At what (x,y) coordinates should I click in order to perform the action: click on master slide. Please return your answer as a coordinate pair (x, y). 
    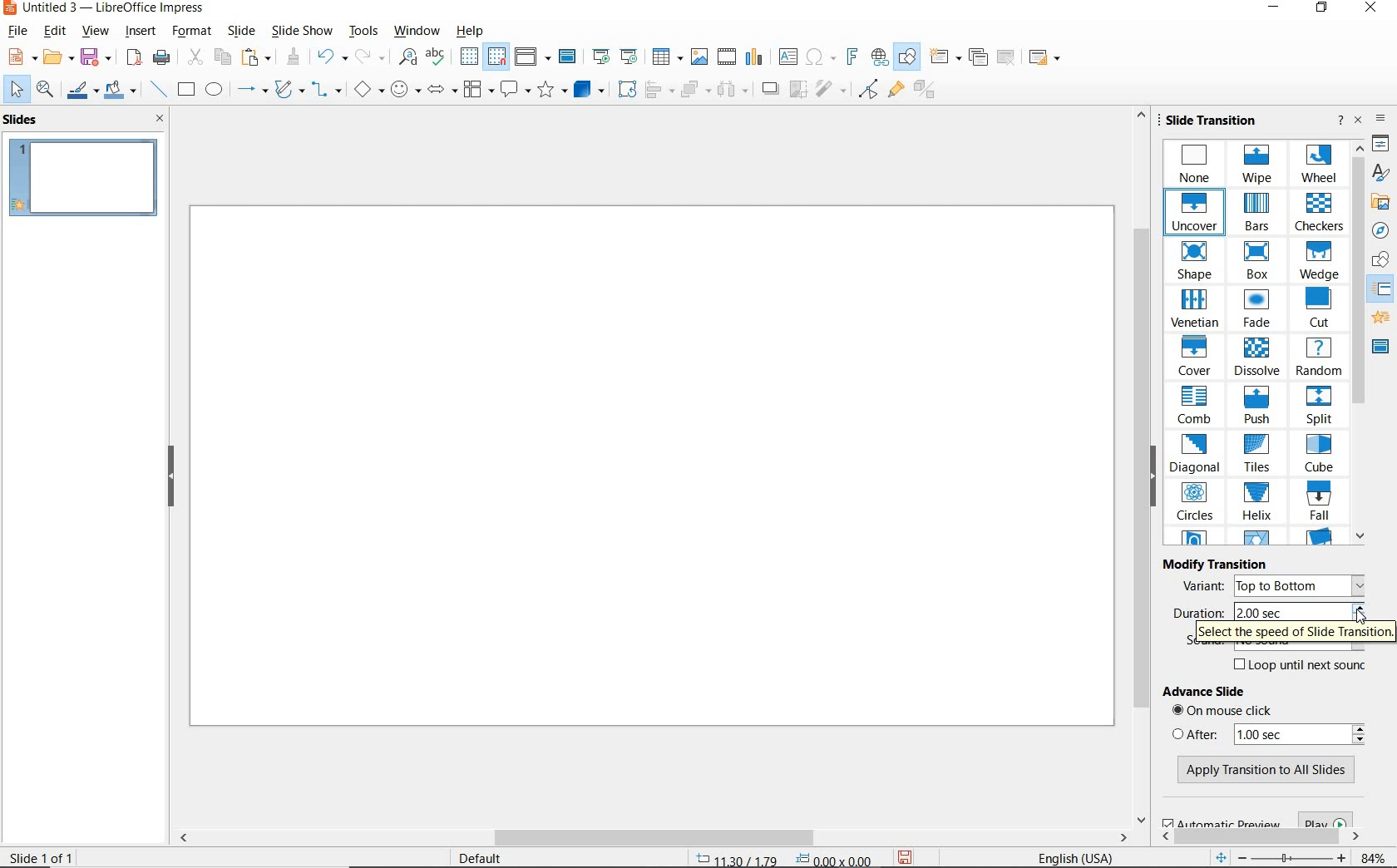
    Looking at the image, I should click on (1381, 346).